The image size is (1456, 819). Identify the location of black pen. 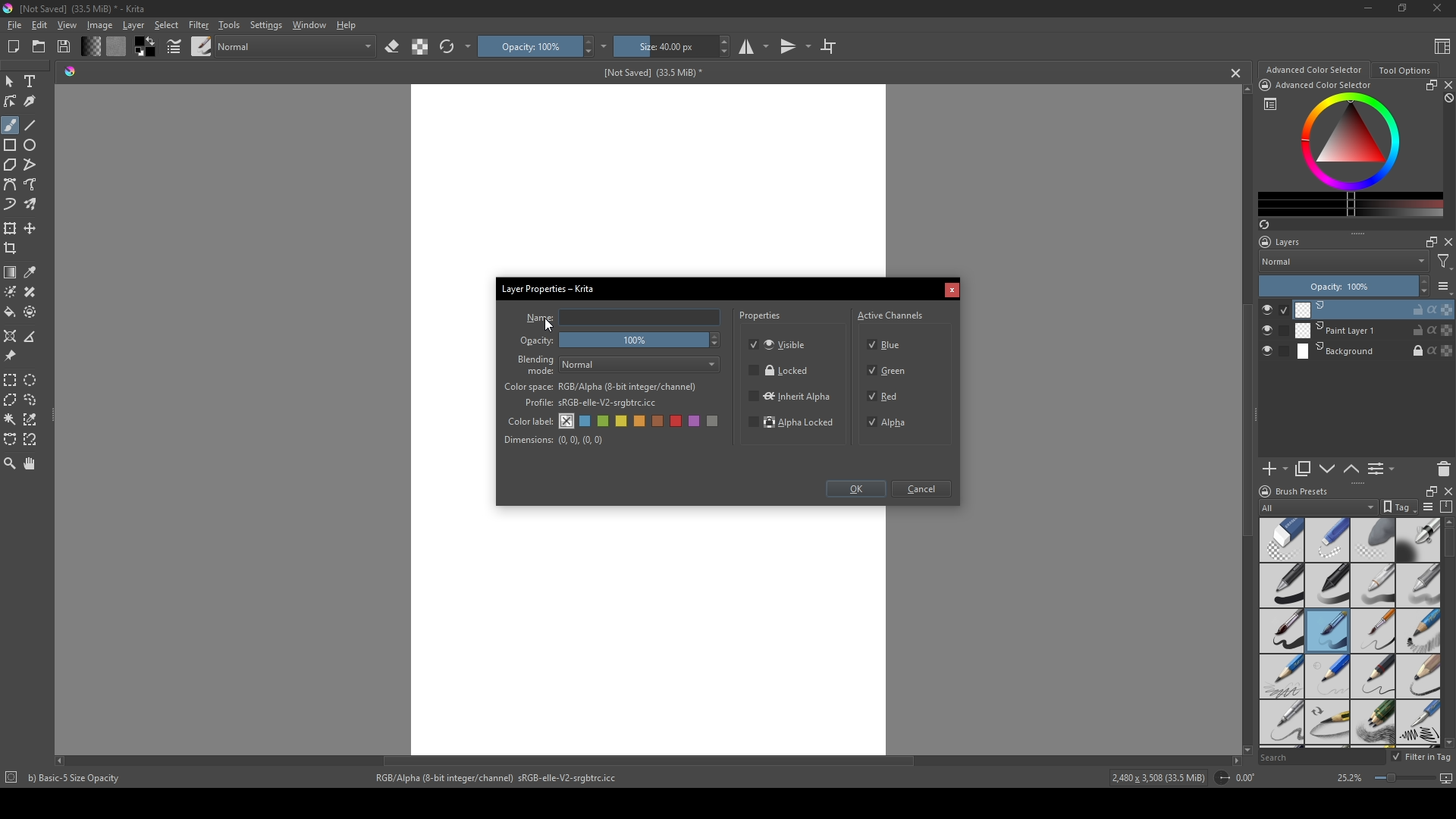
(1328, 585).